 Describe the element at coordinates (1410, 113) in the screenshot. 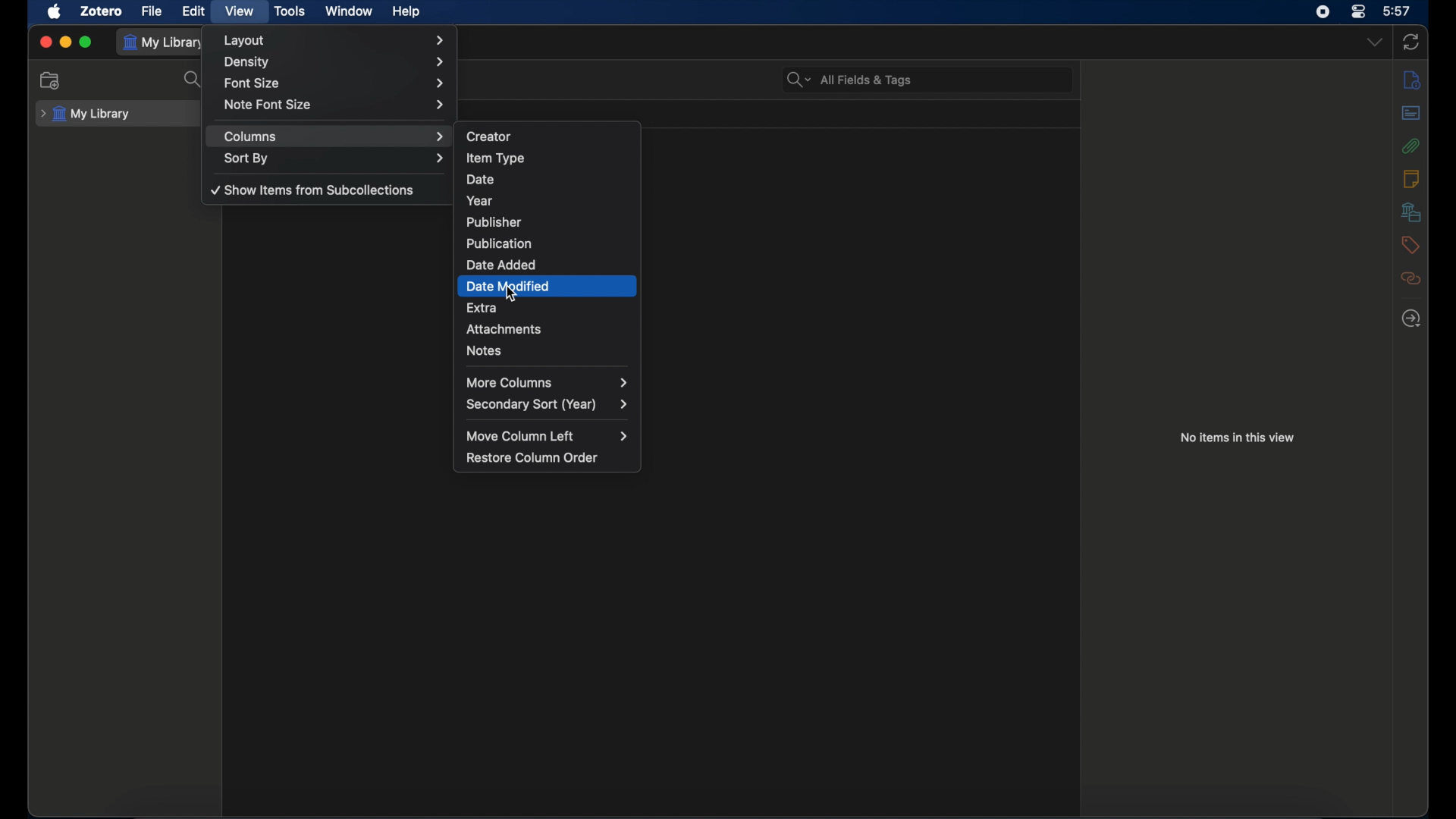

I see `abstract` at that location.